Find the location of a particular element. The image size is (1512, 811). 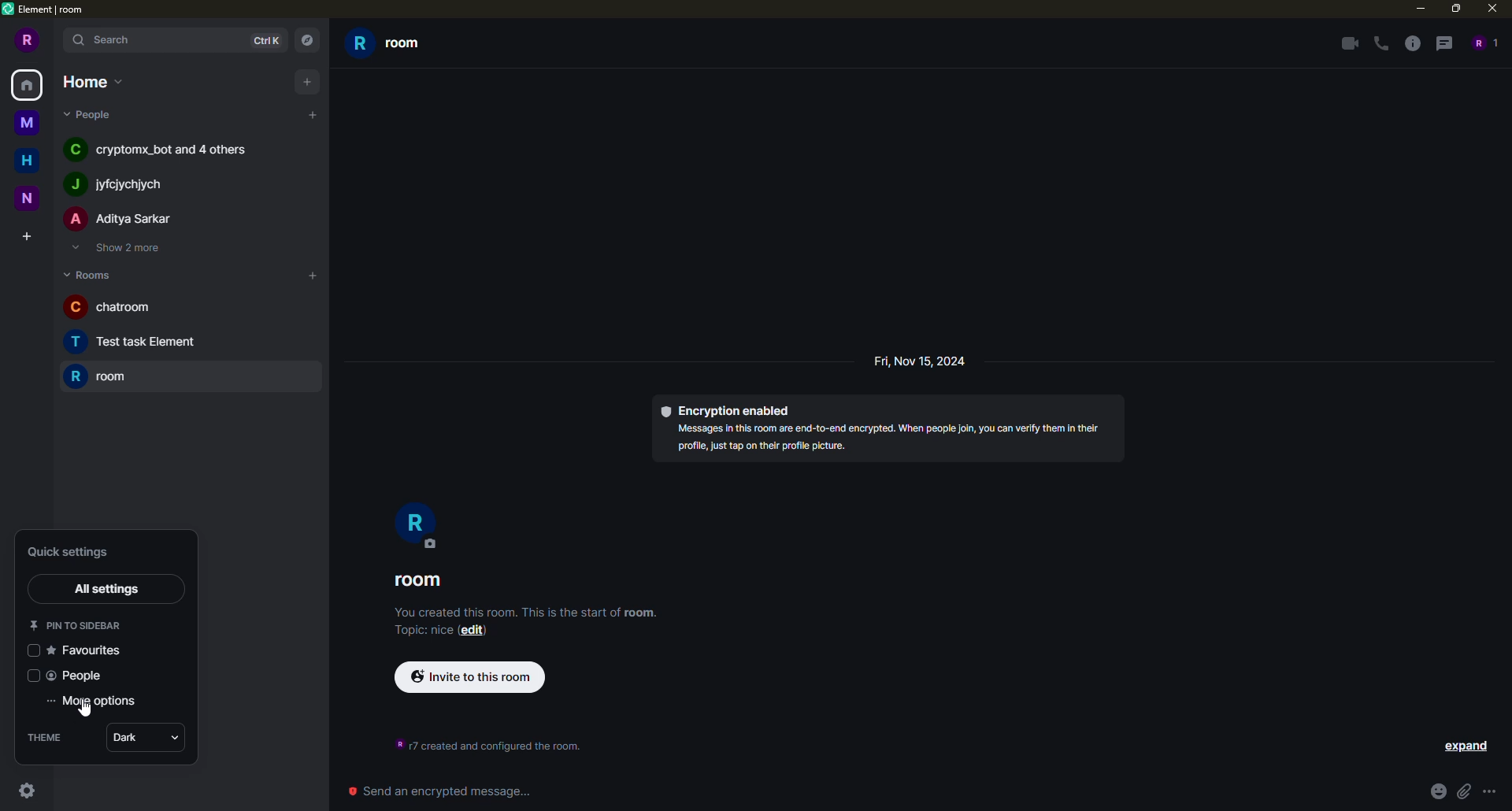

send encrypted message is located at coordinates (440, 791).